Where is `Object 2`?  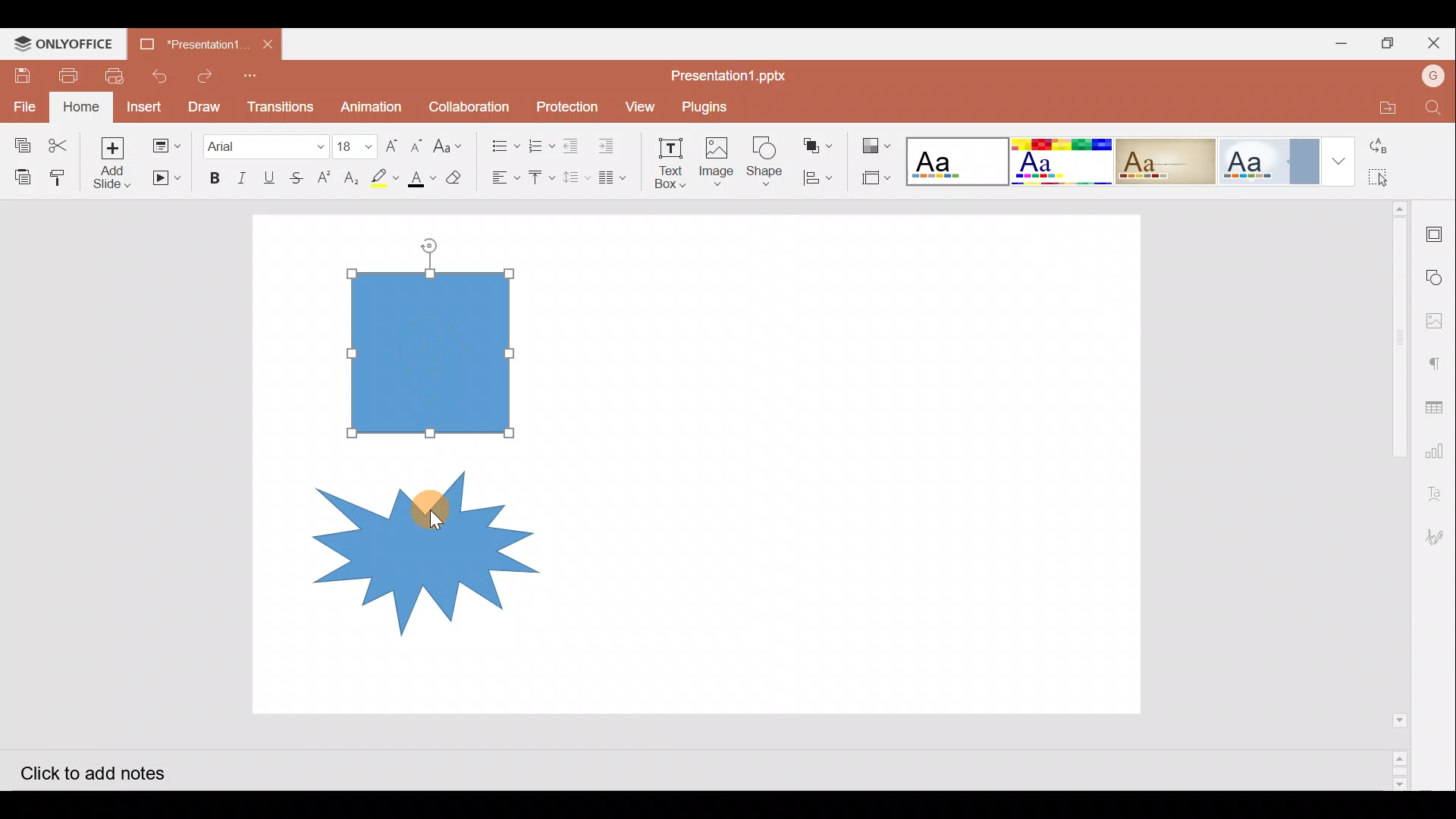 Object 2 is located at coordinates (409, 541).